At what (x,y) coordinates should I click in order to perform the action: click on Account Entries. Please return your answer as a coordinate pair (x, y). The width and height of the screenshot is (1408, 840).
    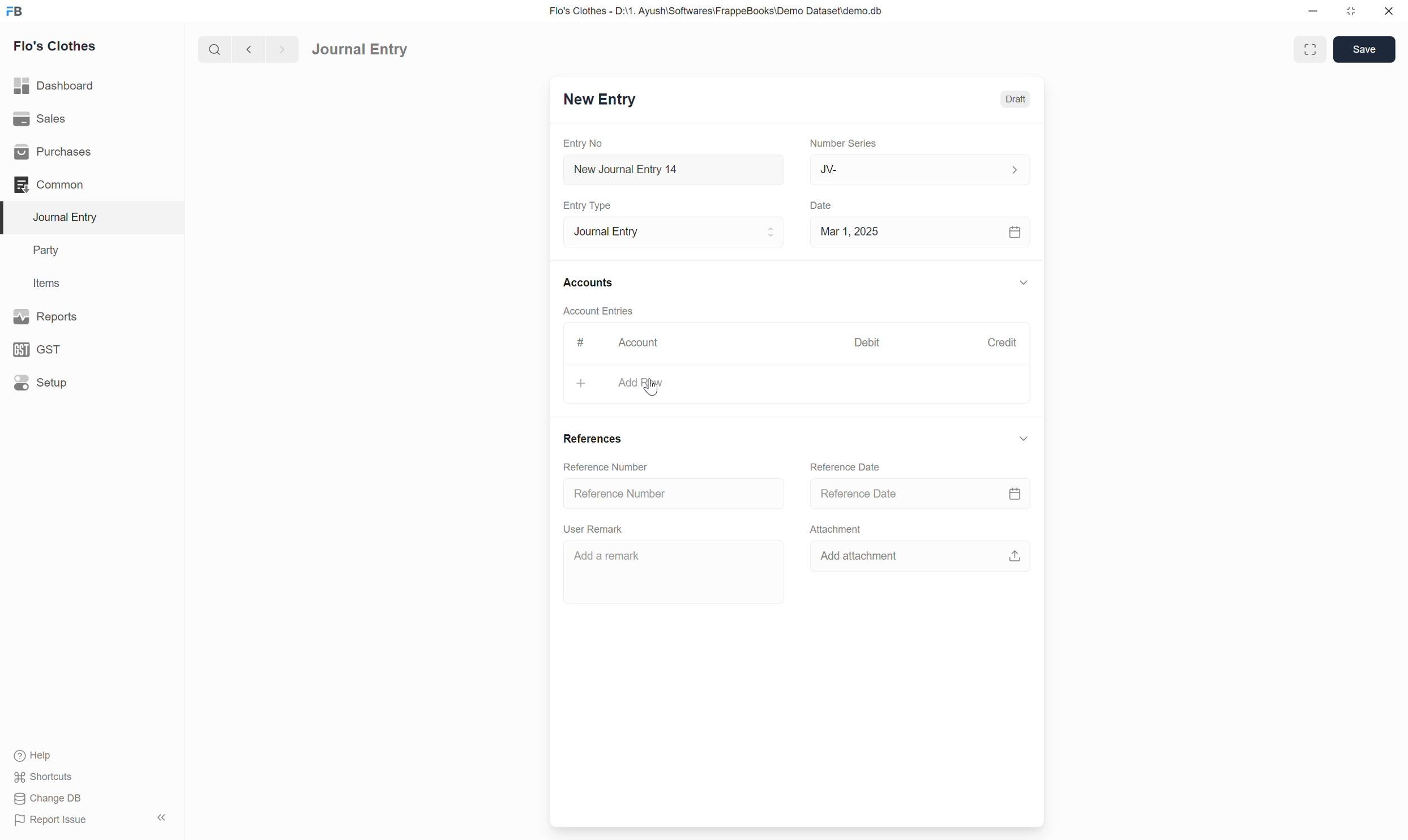
    Looking at the image, I should click on (599, 310).